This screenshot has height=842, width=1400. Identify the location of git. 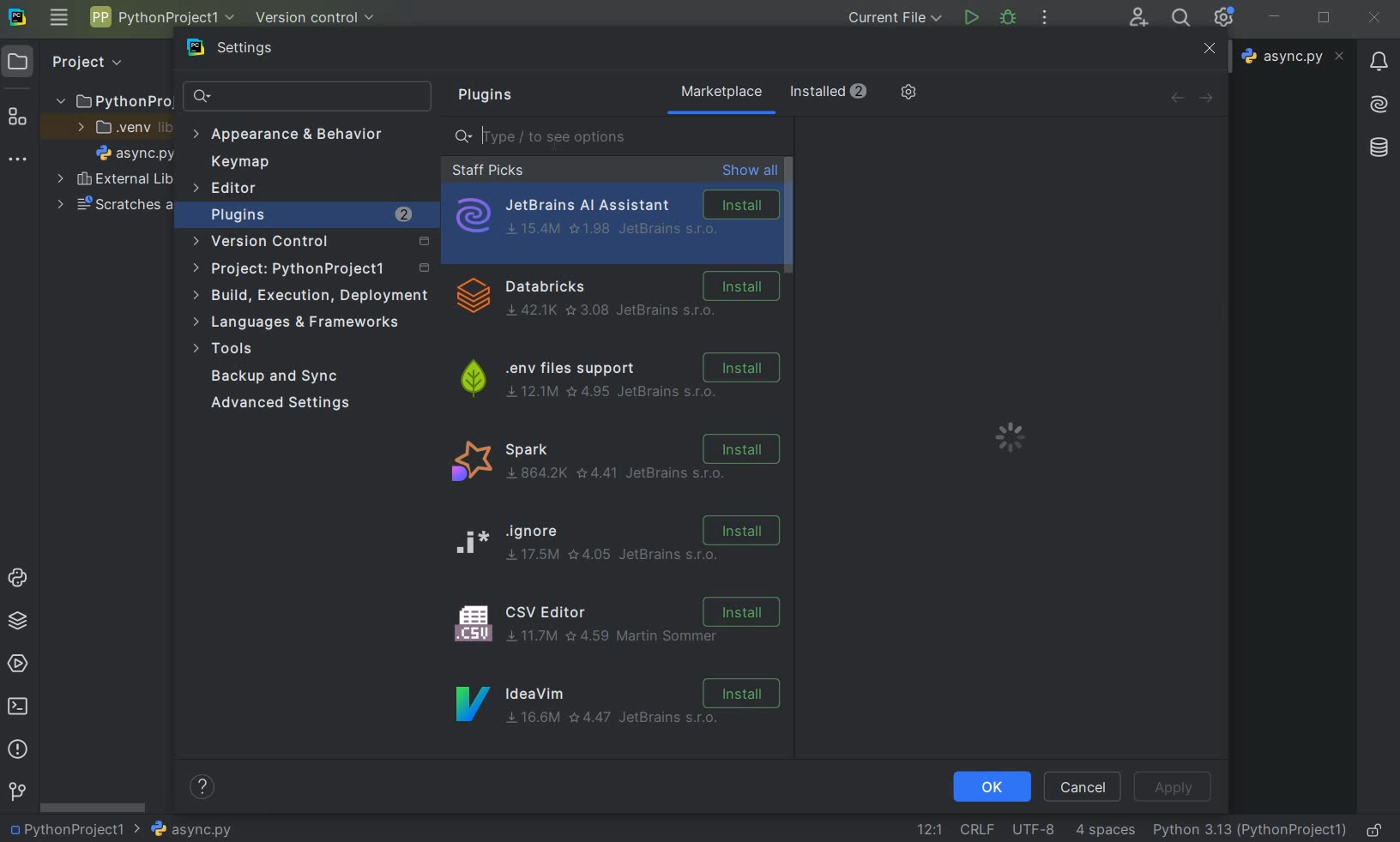
(16, 792).